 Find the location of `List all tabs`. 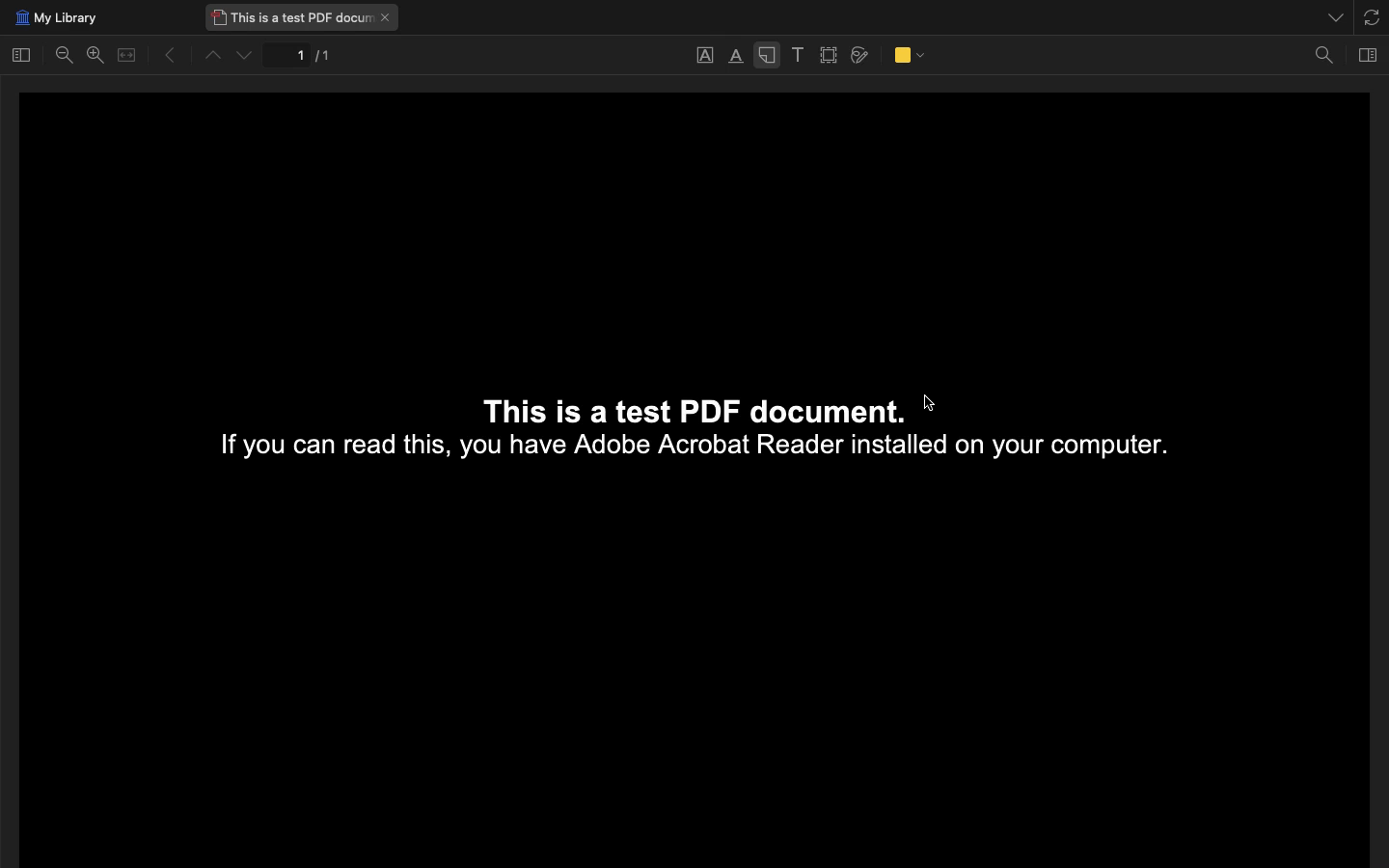

List all tabs is located at coordinates (1330, 14).